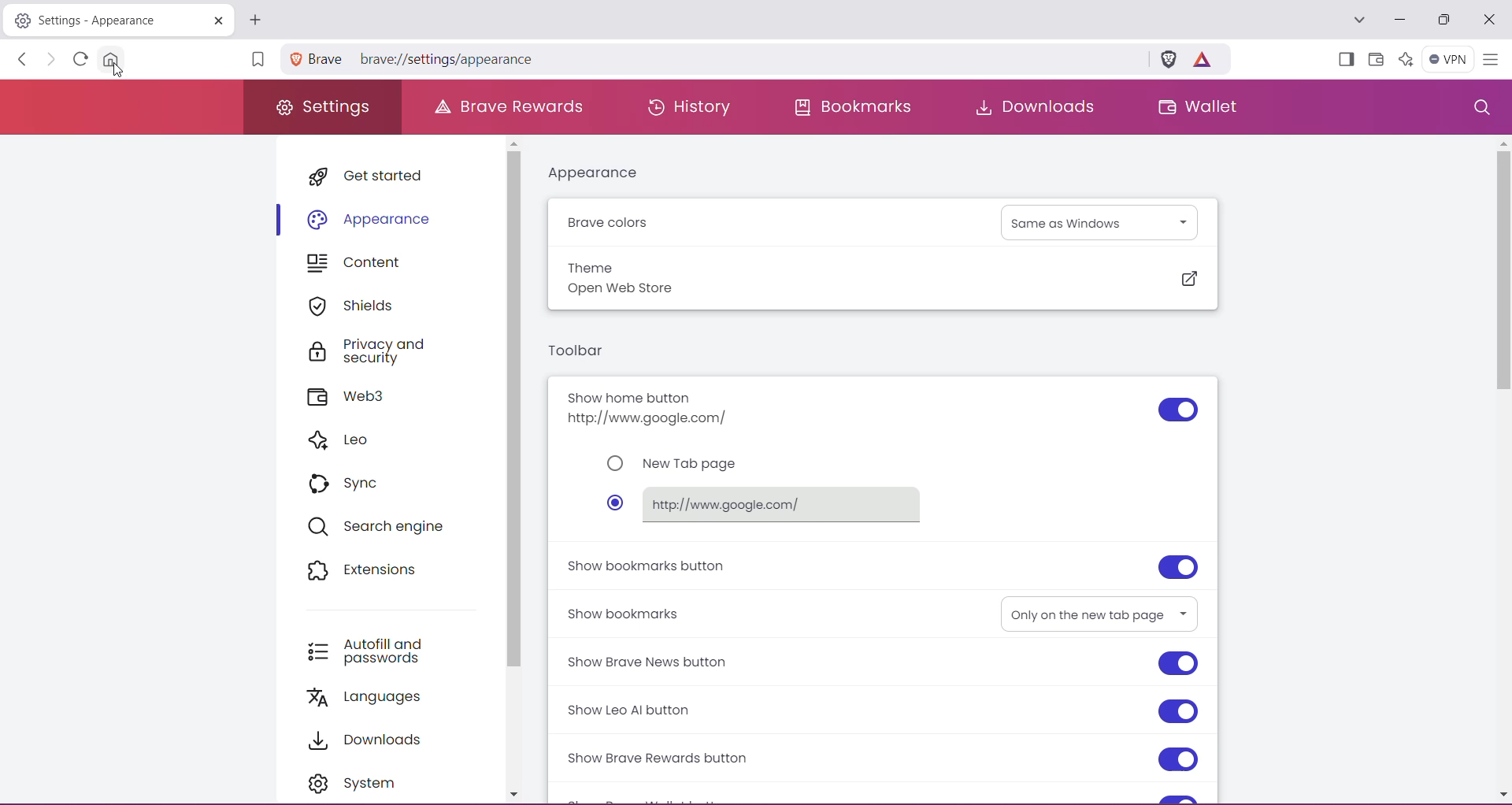  Describe the element at coordinates (768, 504) in the screenshot. I see `Click to set URL for new Homepage` at that location.